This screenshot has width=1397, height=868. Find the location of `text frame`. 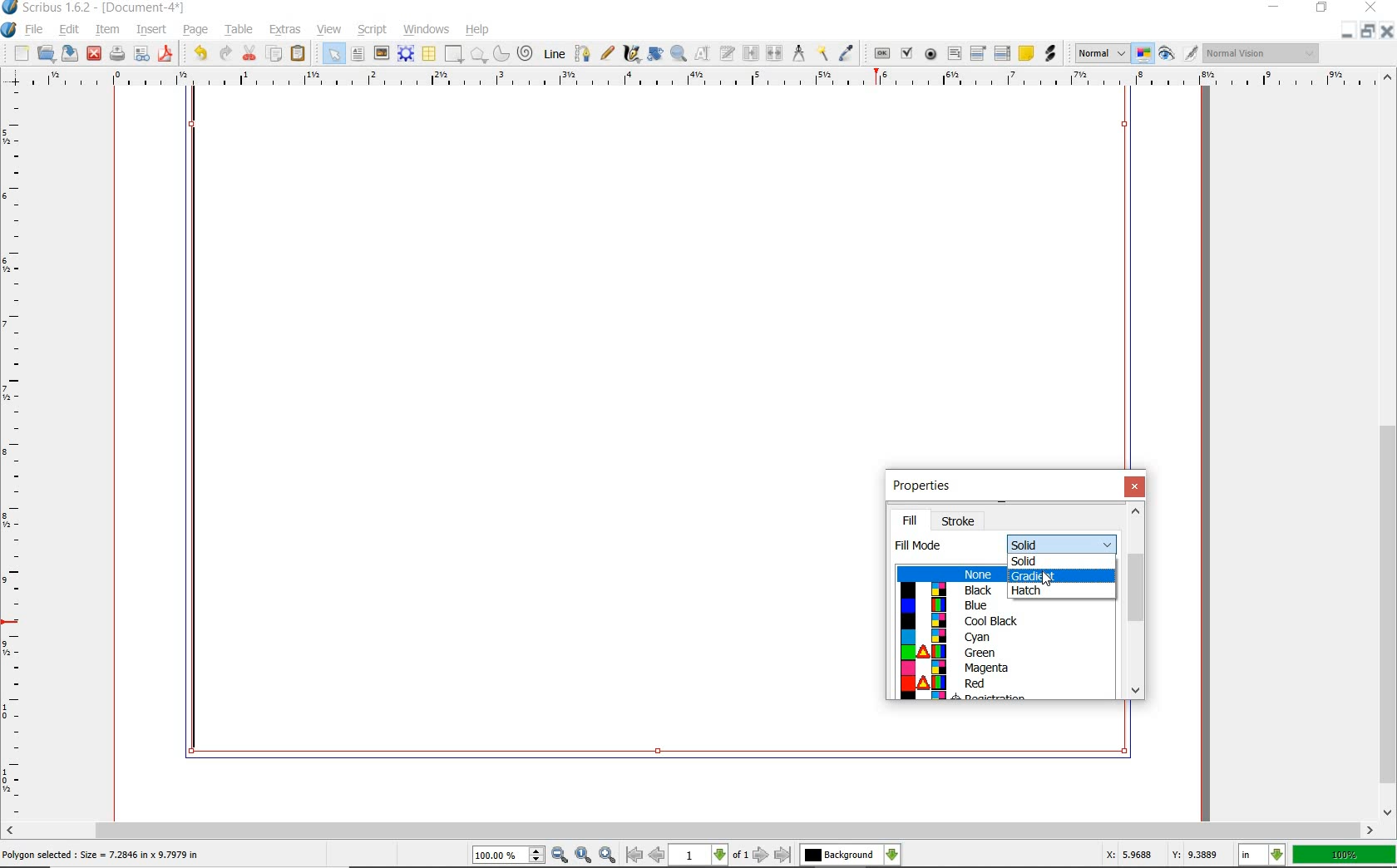

text frame is located at coordinates (358, 56).